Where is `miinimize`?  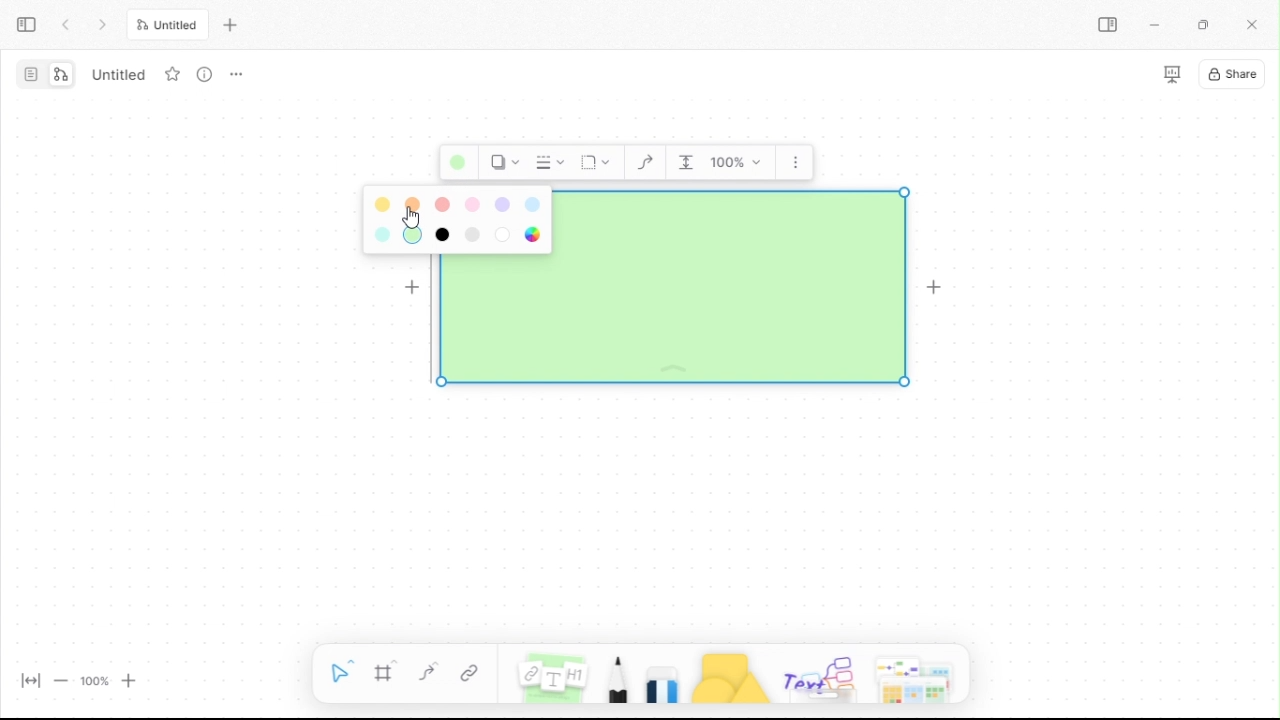 miinimize is located at coordinates (1158, 25).